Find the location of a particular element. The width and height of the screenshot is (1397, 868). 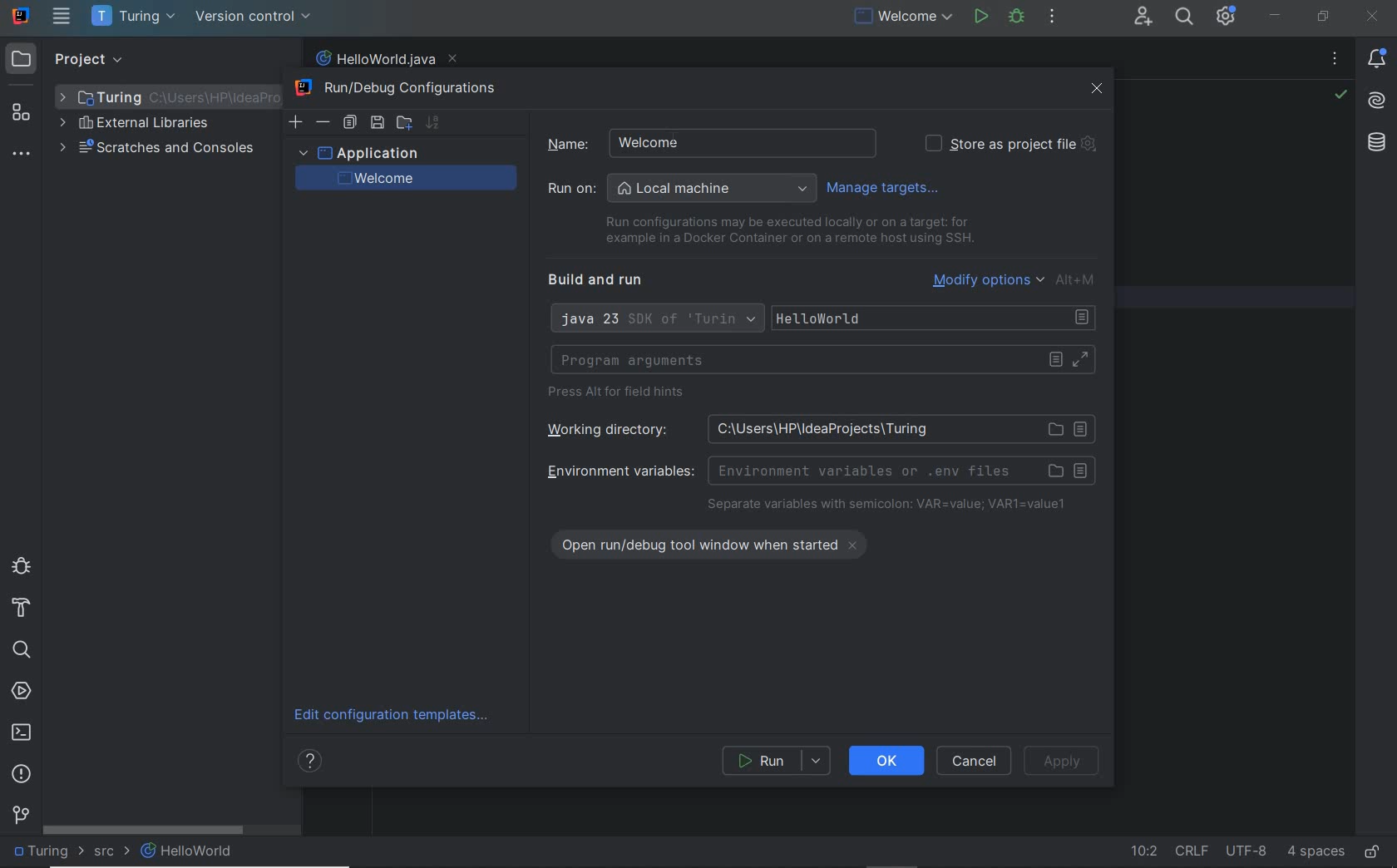

AI Assistant is located at coordinates (1377, 104).